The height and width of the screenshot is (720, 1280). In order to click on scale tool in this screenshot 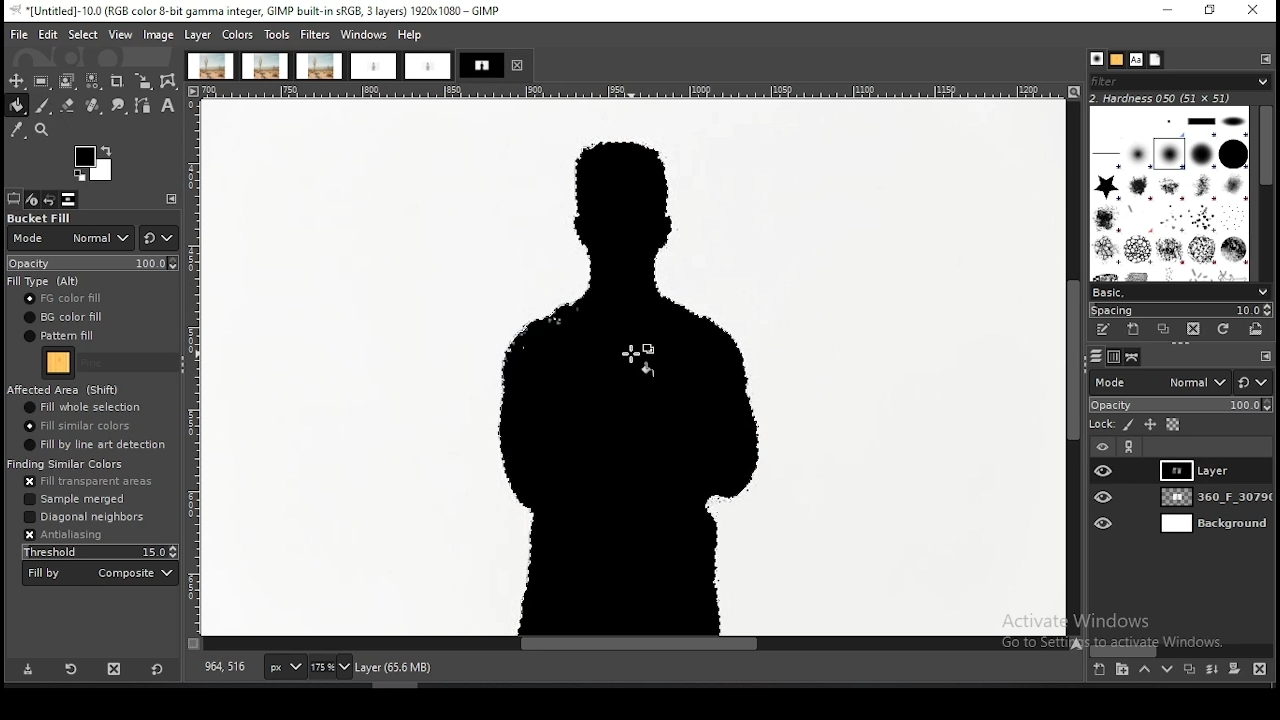, I will do `click(143, 82)`.